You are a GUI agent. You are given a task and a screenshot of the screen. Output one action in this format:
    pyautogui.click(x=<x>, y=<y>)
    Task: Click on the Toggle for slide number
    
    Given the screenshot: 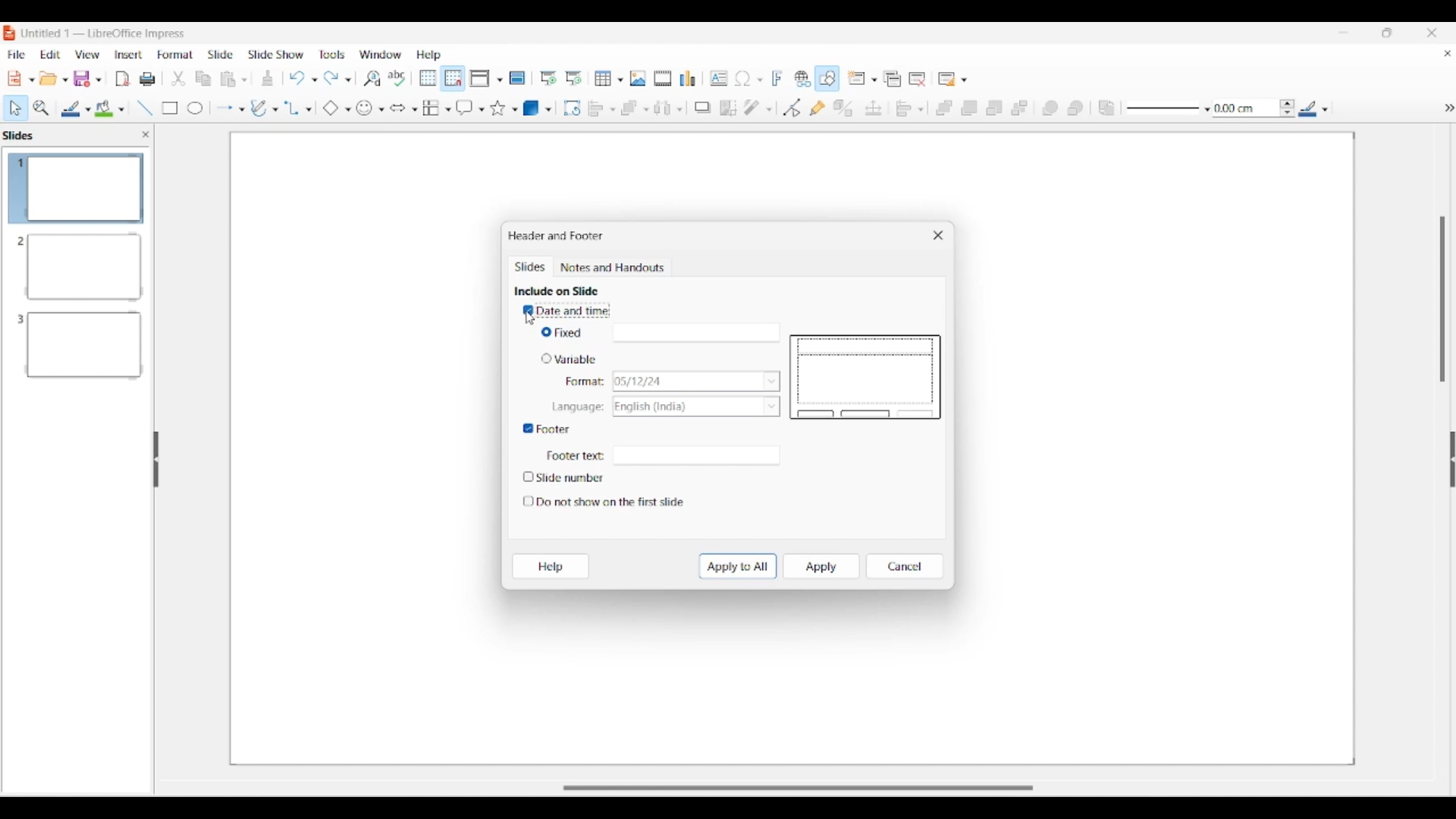 What is the action you would take?
    pyautogui.click(x=569, y=477)
    